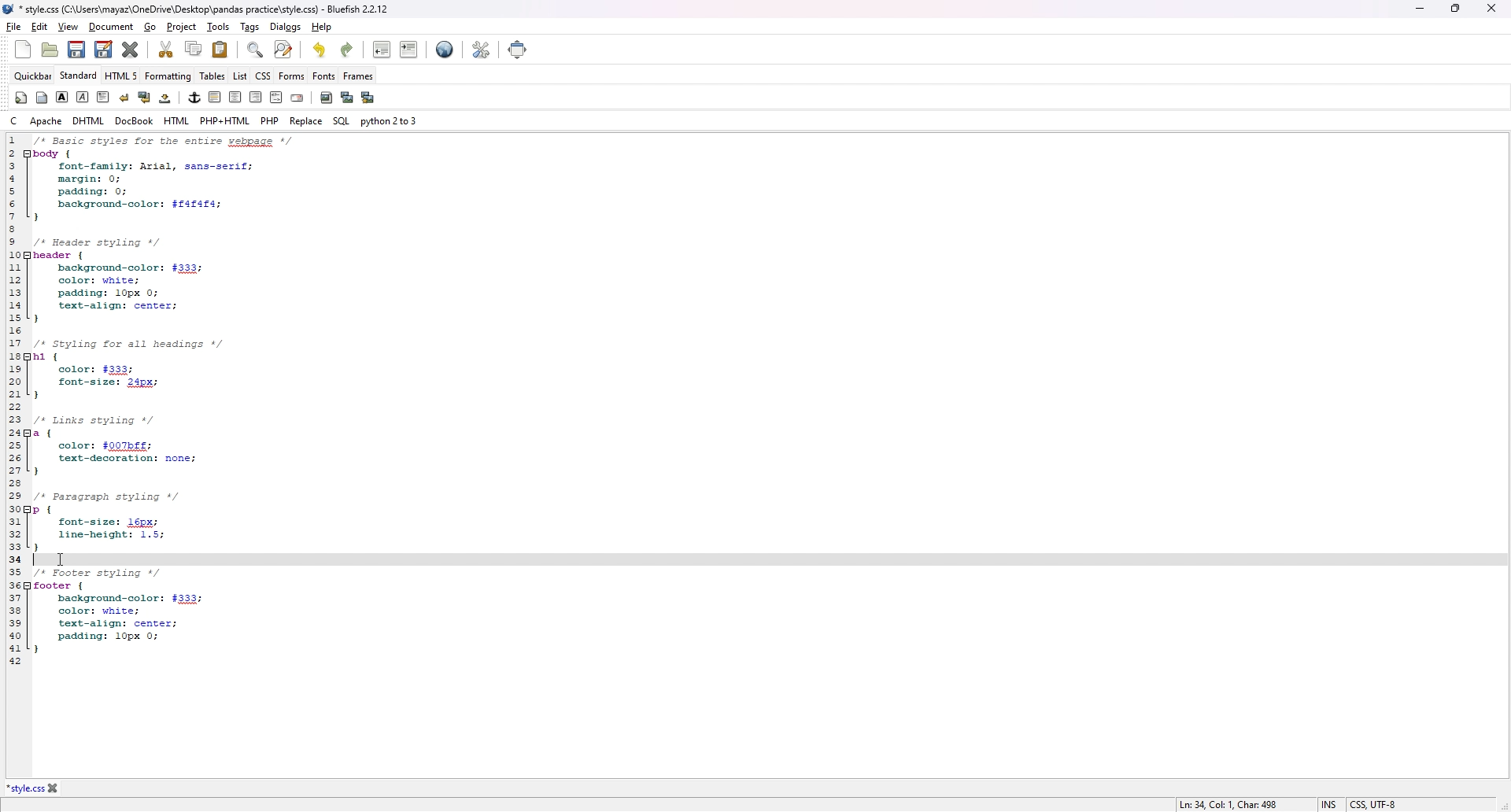 The width and height of the screenshot is (1511, 812). I want to click on INS, so click(1327, 803).